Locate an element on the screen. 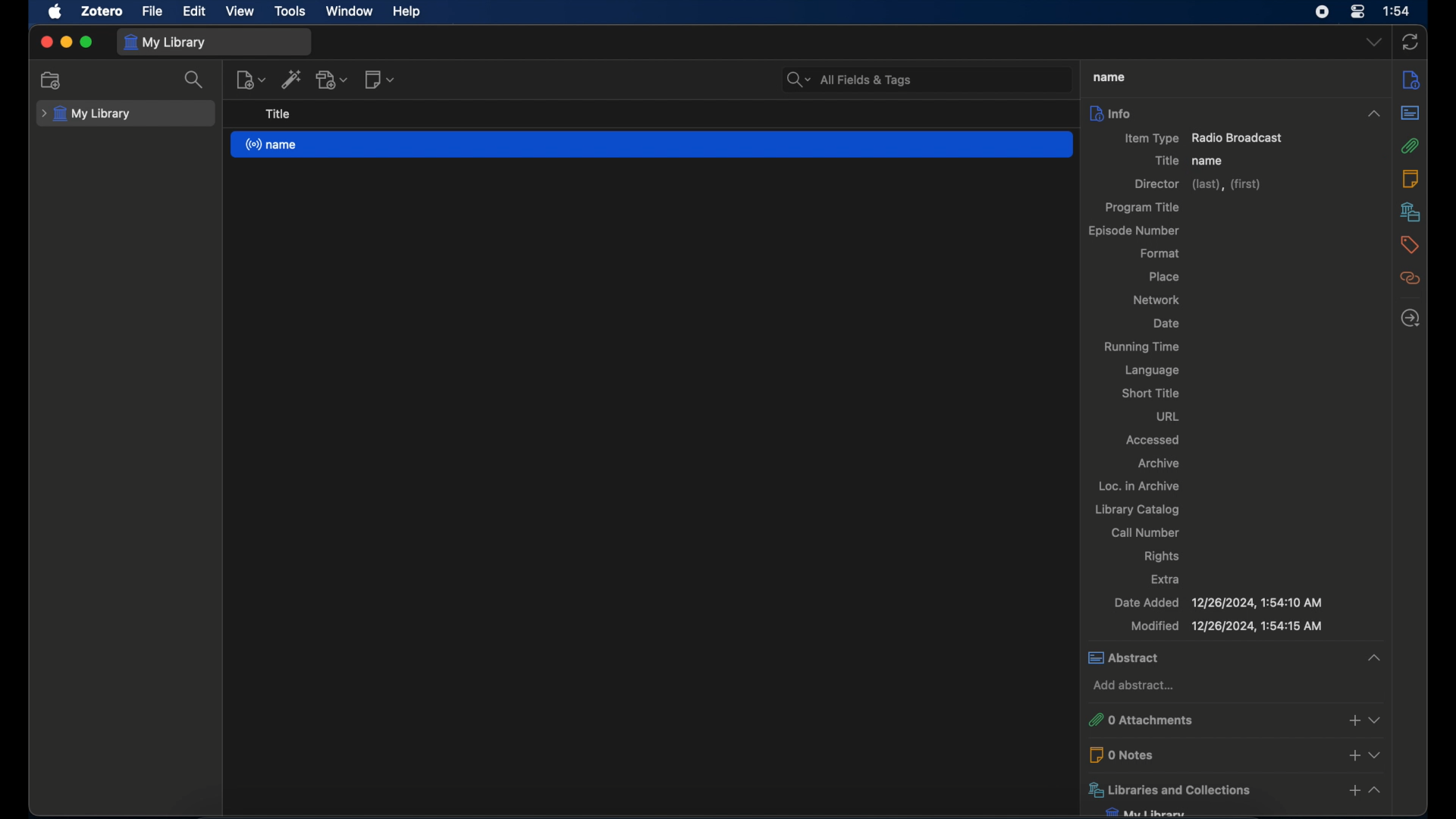 The width and height of the screenshot is (1456, 819). info is located at coordinates (1410, 79).